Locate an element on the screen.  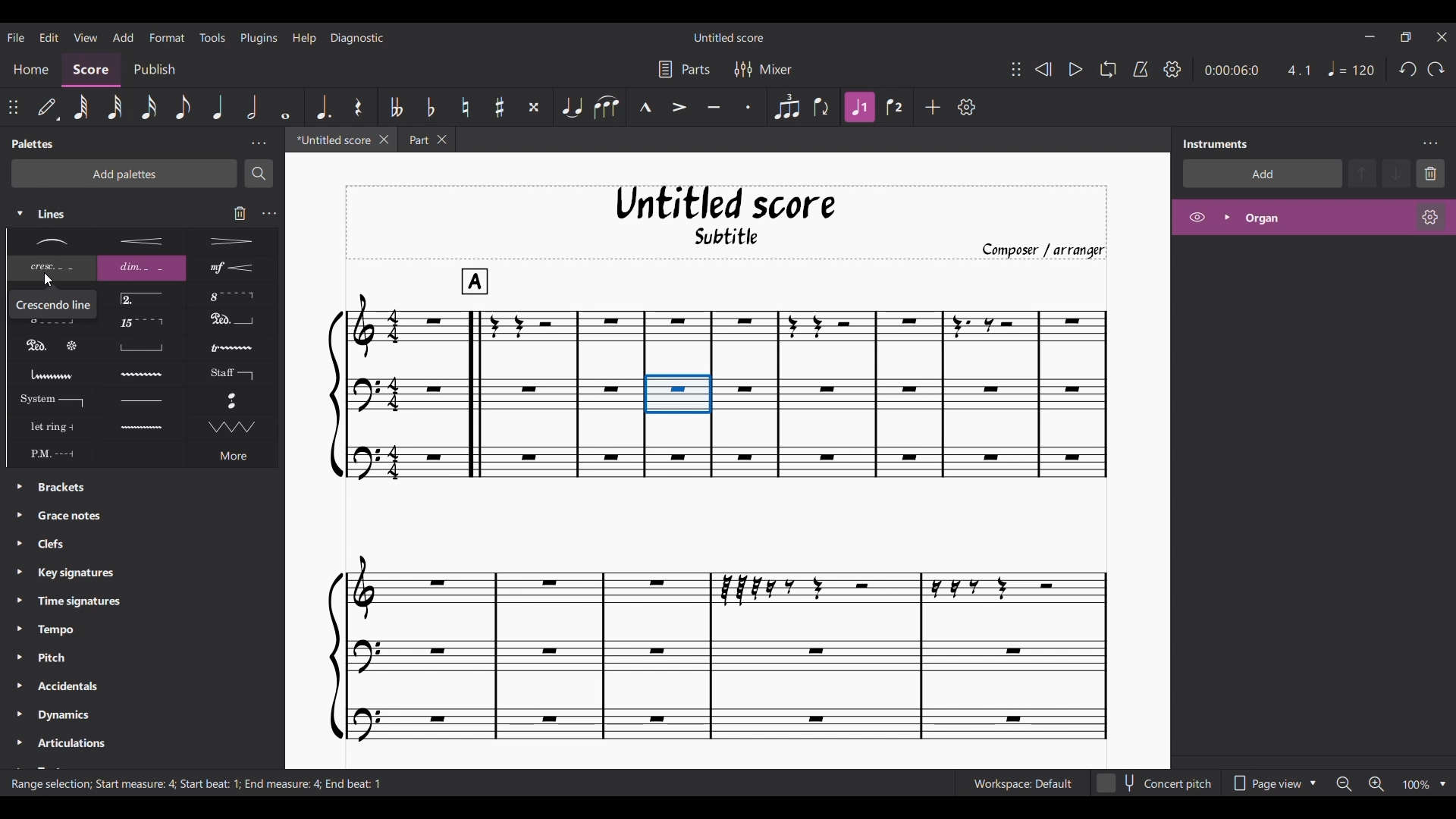
Customize toolbar is located at coordinates (967, 107).